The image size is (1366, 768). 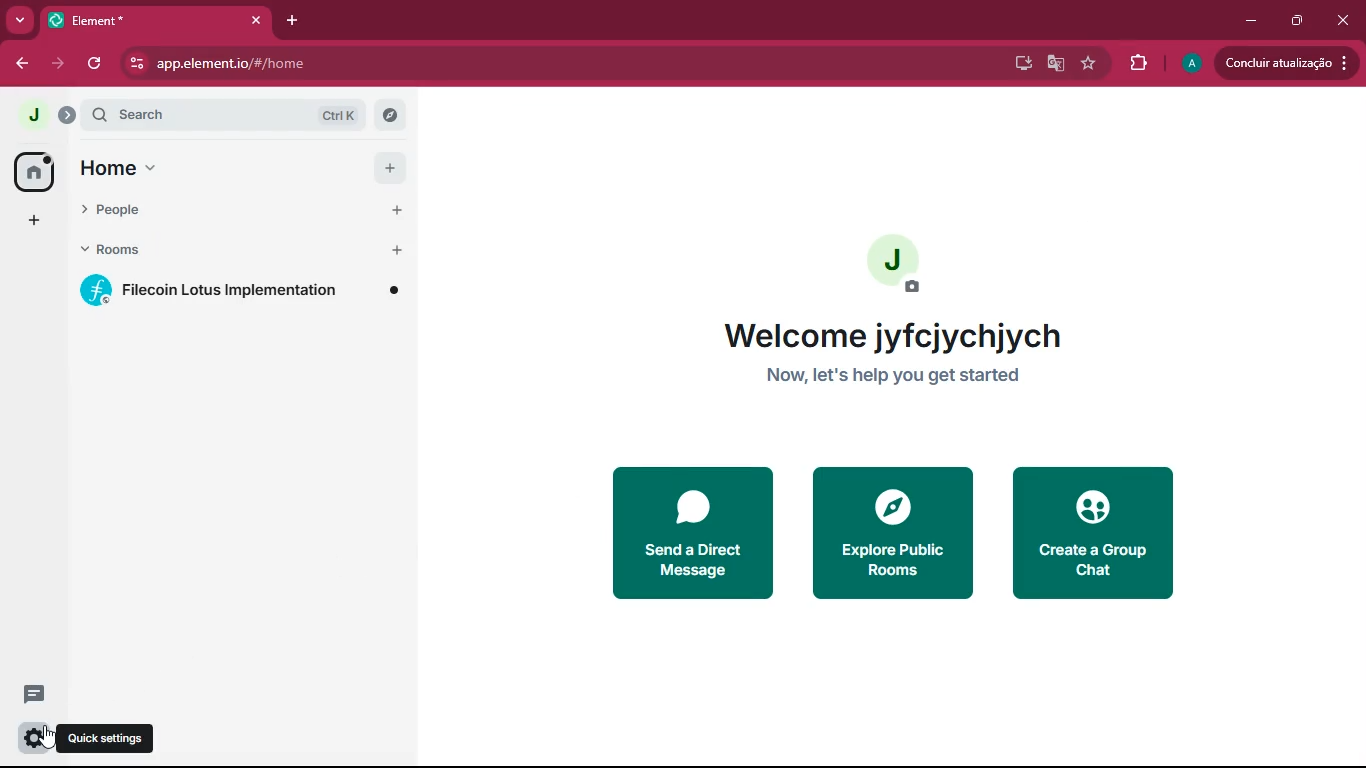 I want to click on explore public rooms, so click(x=896, y=533).